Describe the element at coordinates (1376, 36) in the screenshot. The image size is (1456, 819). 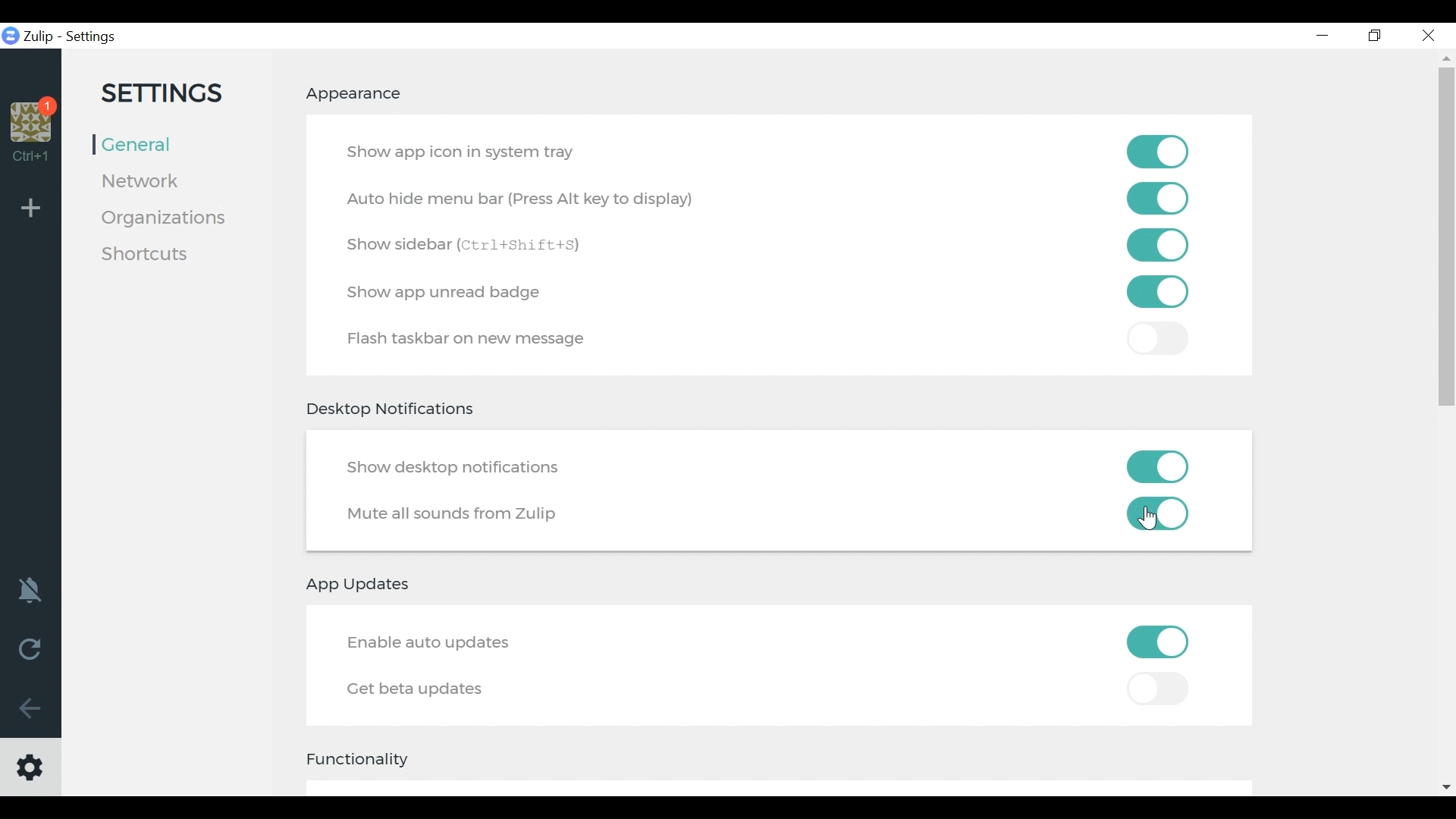
I see `Restore` at that location.